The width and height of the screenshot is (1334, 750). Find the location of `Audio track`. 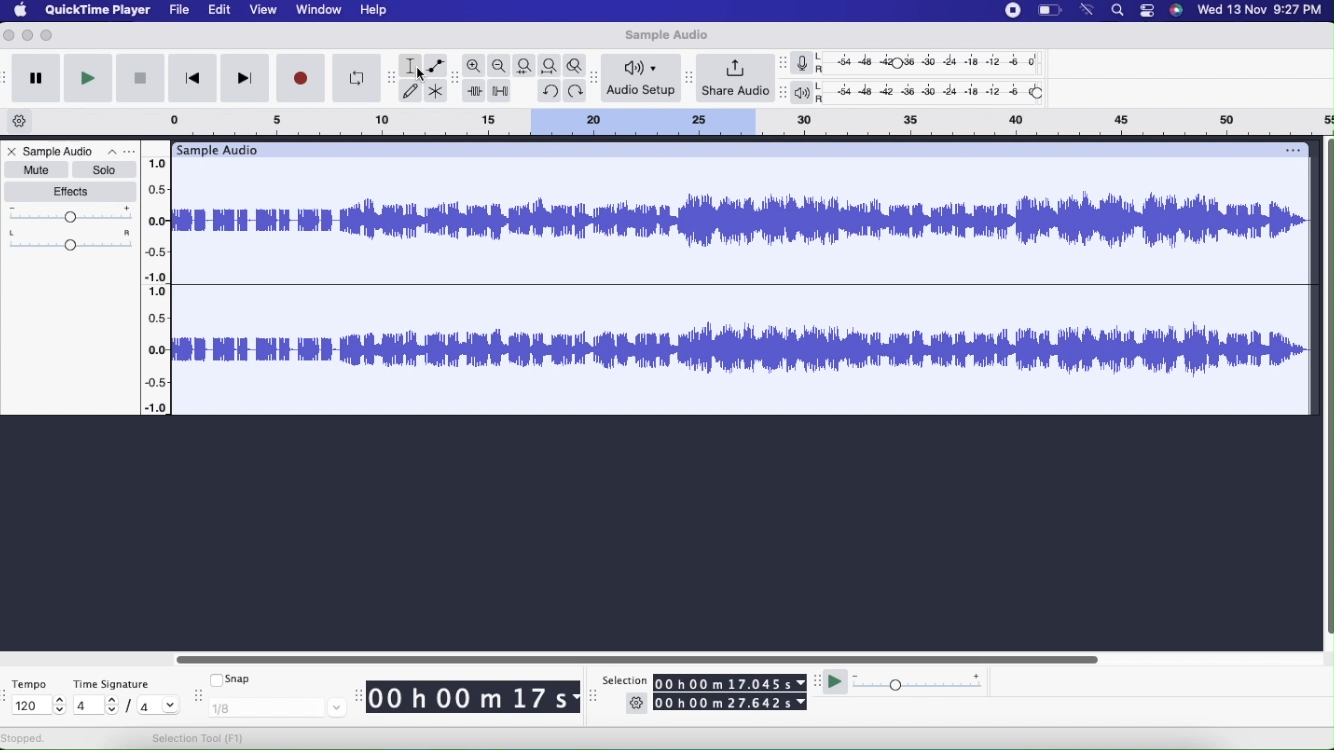

Audio track is located at coordinates (743, 220).